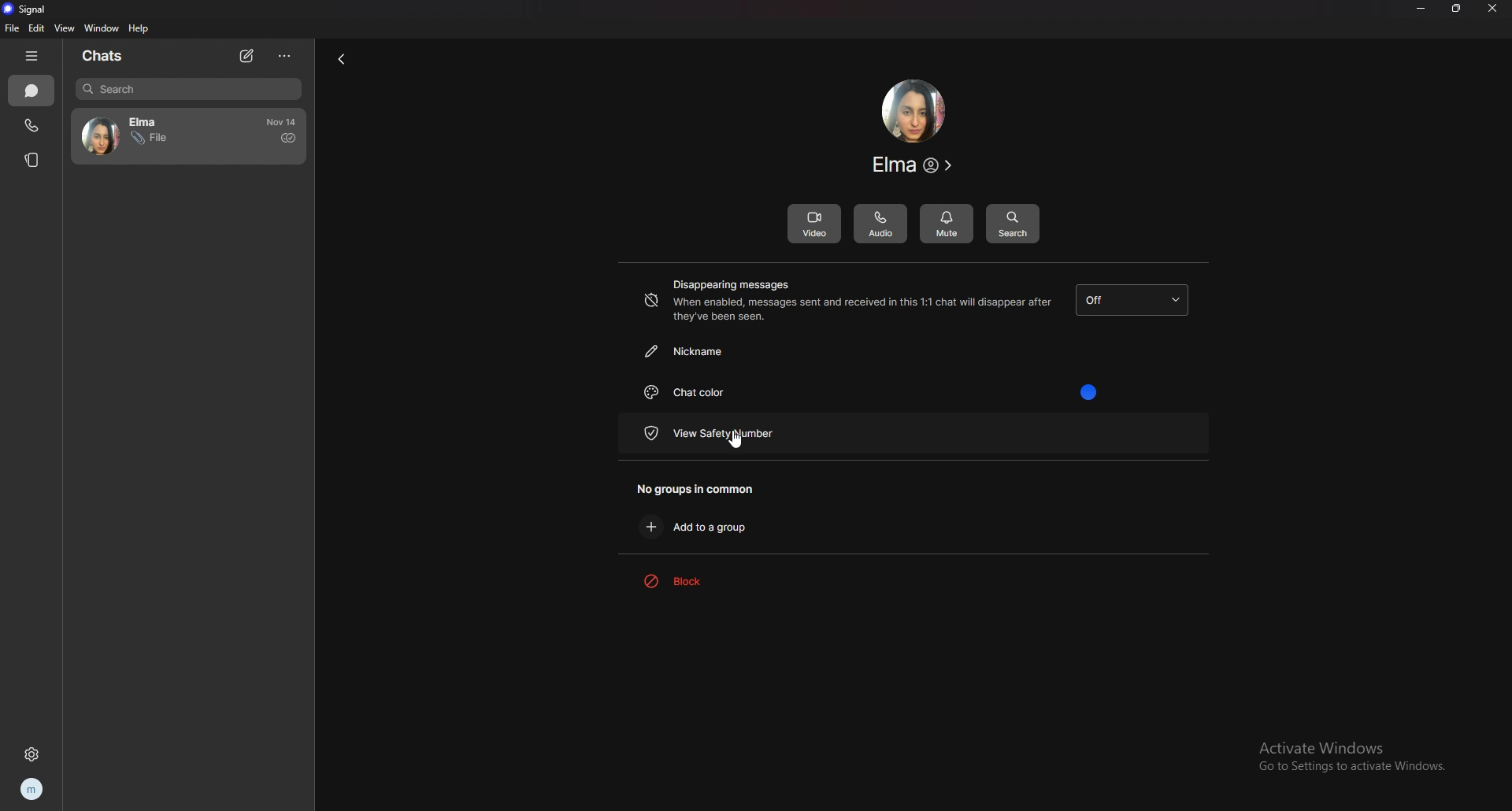 The height and width of the screenshot is (811, 1512). What do you see at coordinates (11, 28) in the screenshot?
I see `file` at bounding box center [11, 28].